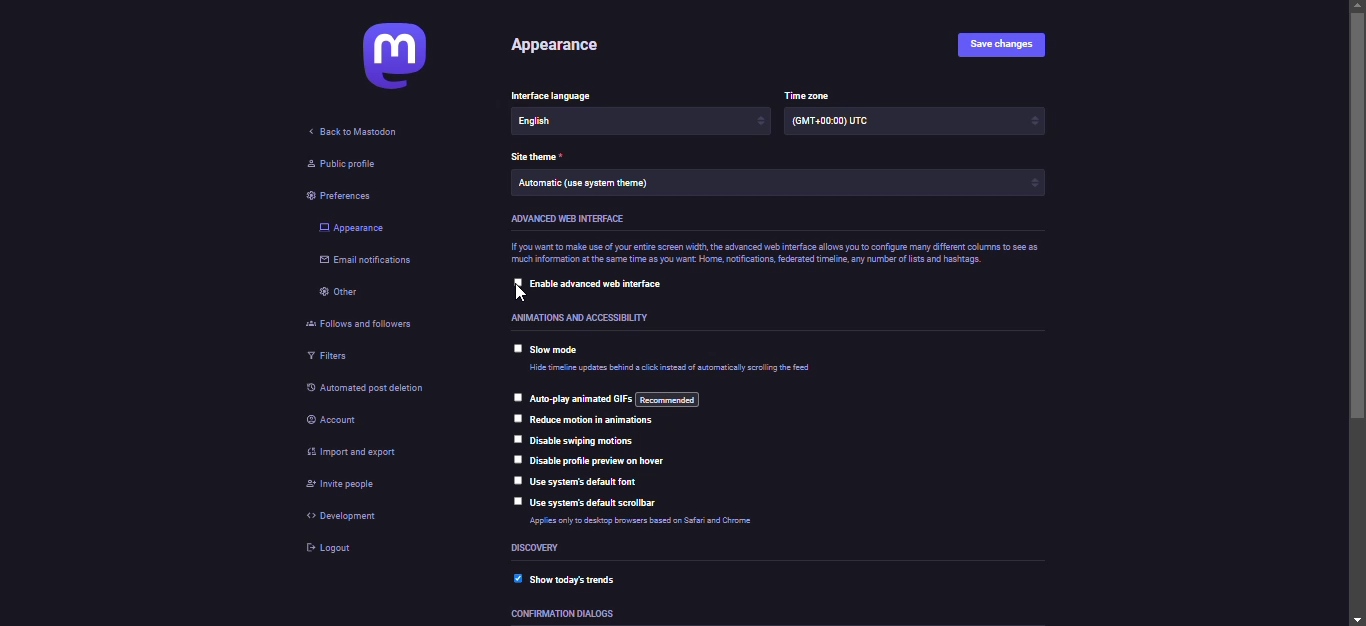 The image size is (1366, 626). I want to click on public profile, so click(345, 165).